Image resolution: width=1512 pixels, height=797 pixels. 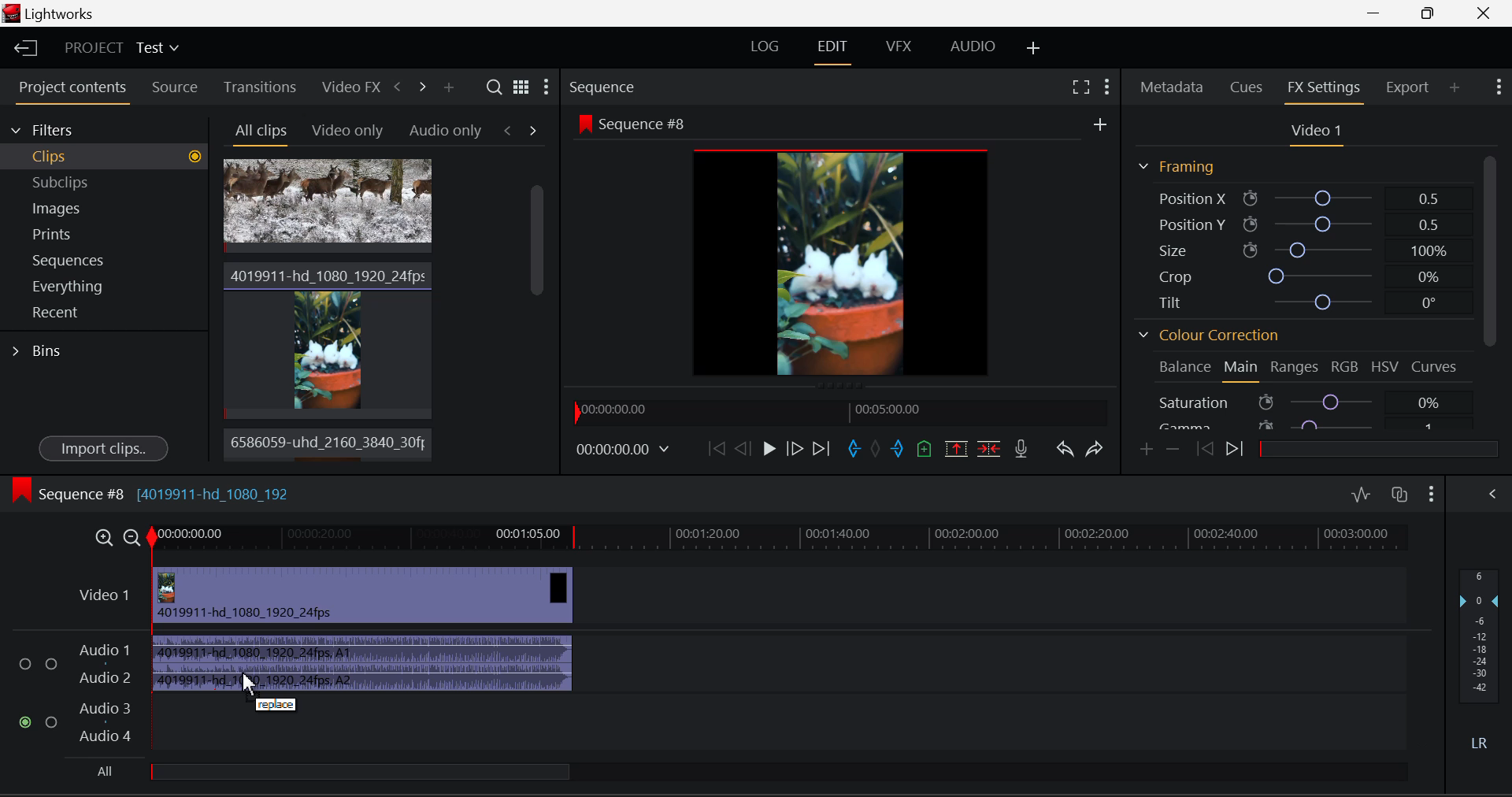 What do you see at coordinates (897, 46) in the screenshot?
I see `VFX Layout` at bounding box center [897, 46].